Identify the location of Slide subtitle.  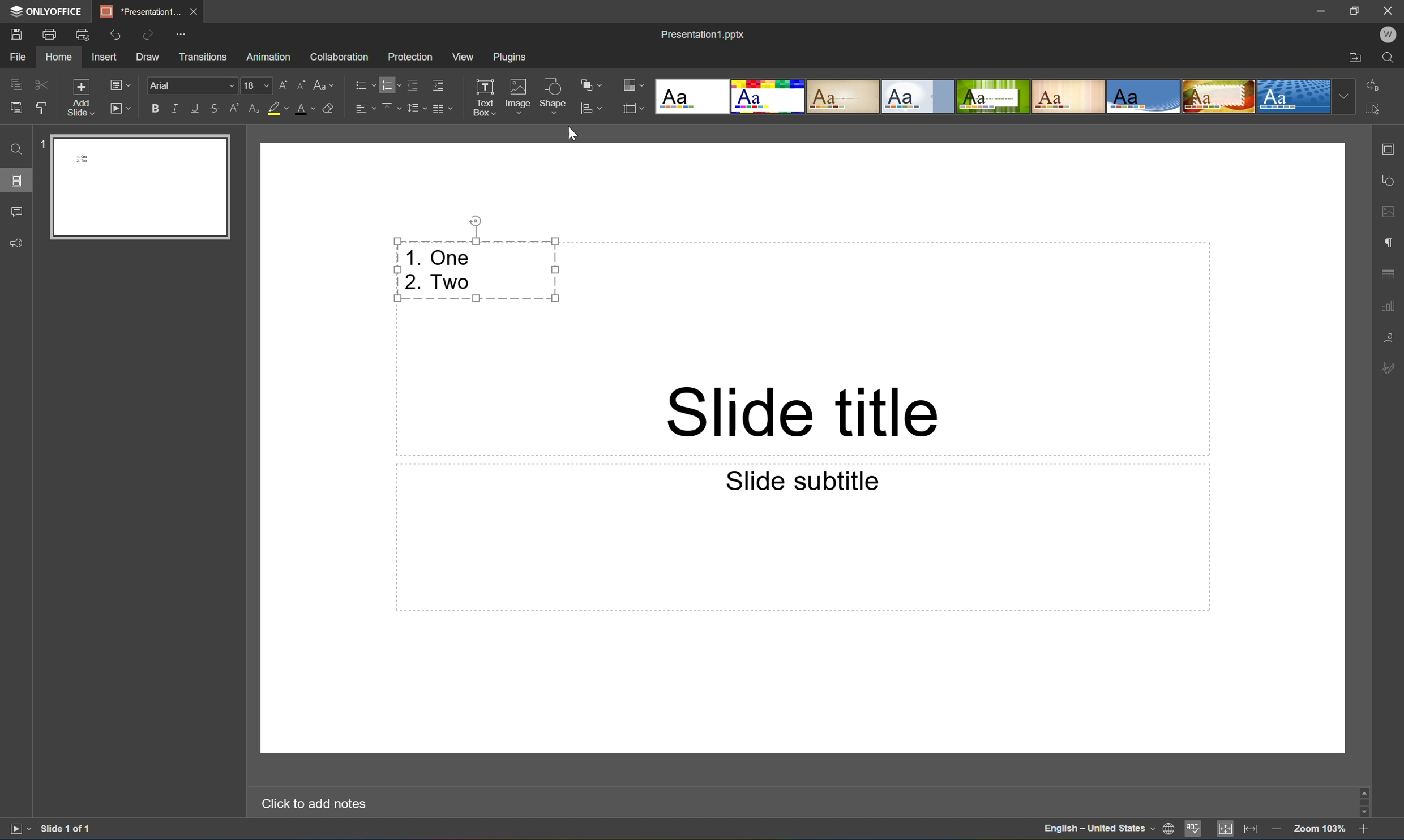
(799, 479).